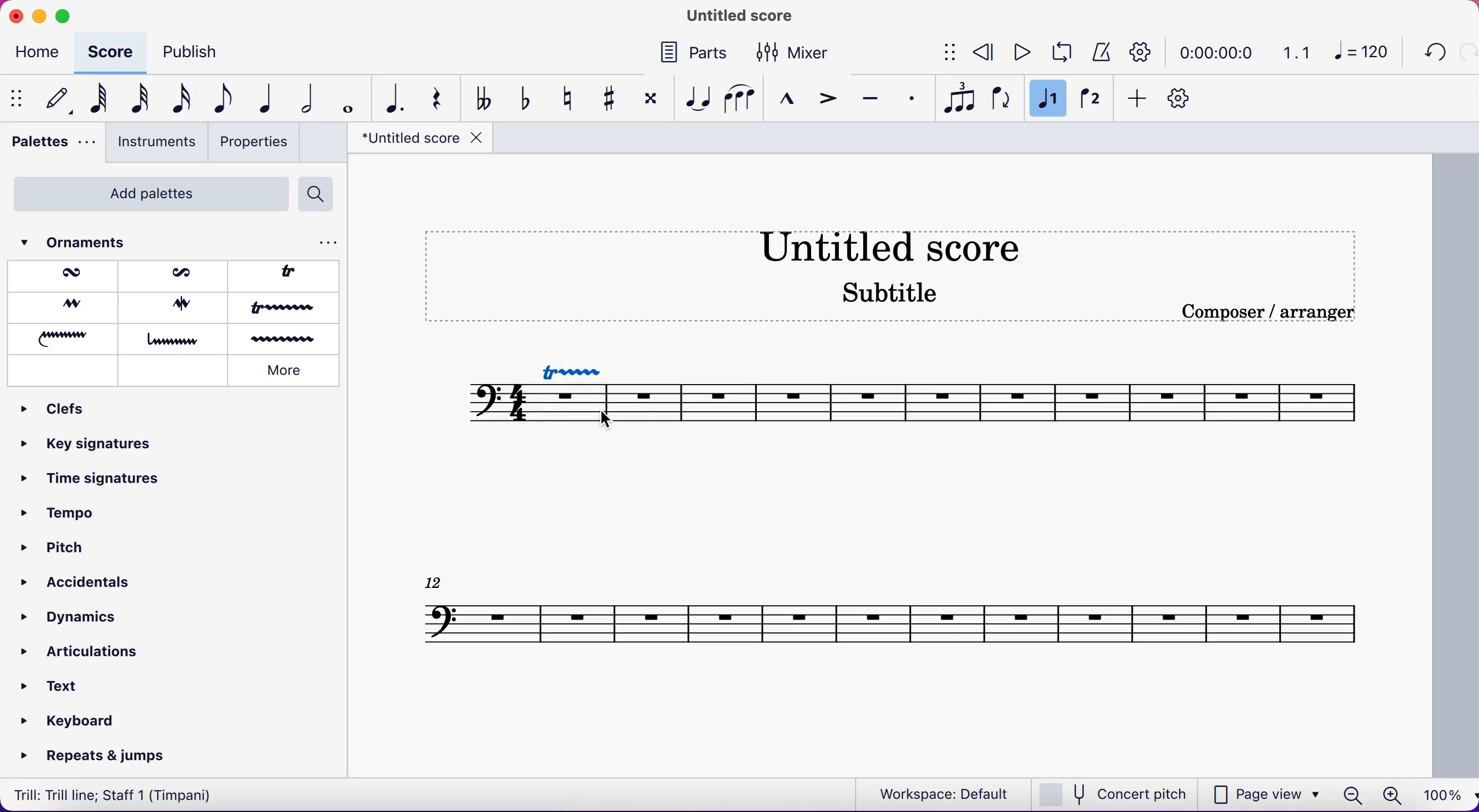  I want to click on properties, so click(257, 144).